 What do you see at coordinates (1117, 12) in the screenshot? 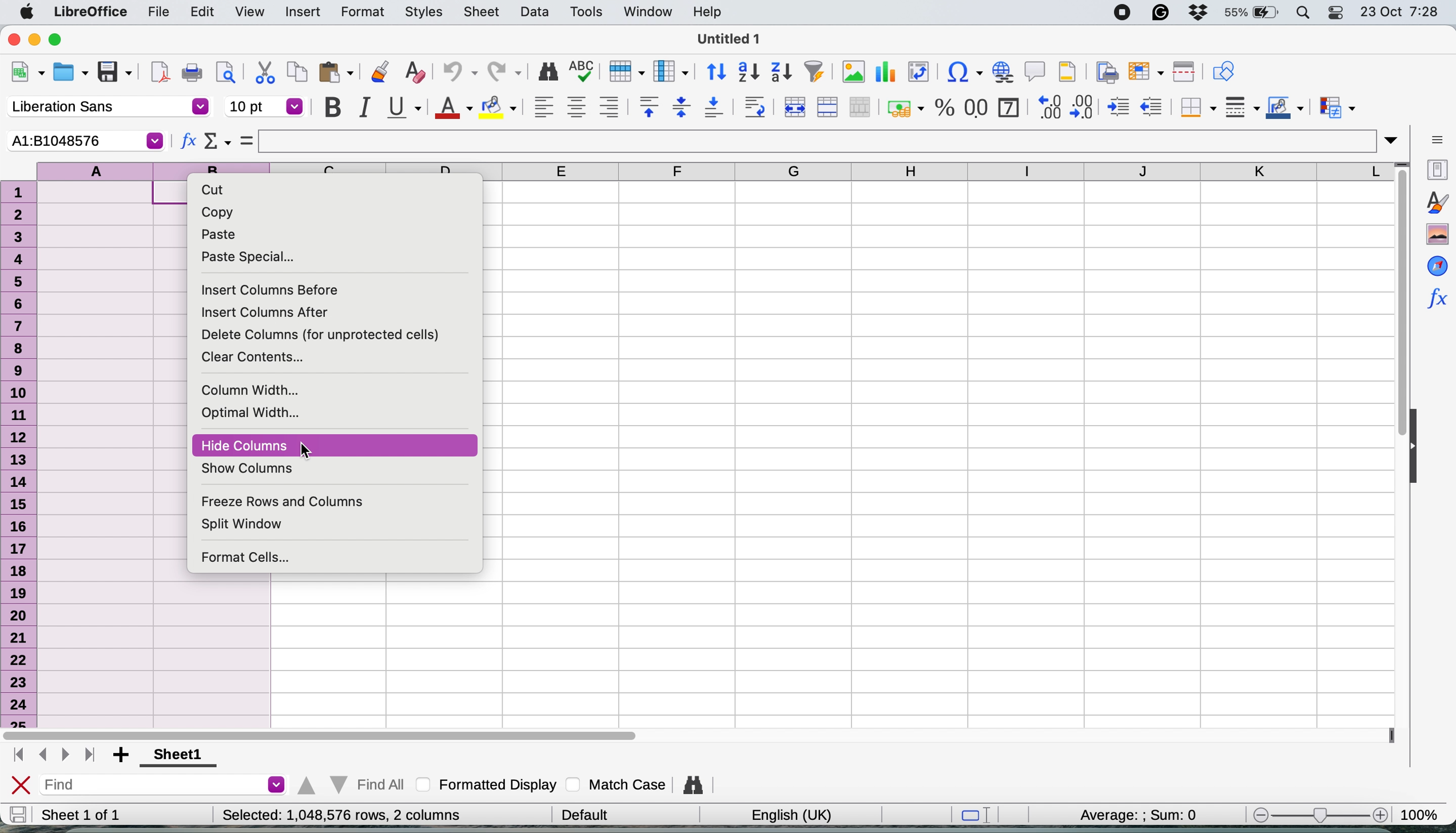
I see `screen recorder` at bounding box center [1117, 12].